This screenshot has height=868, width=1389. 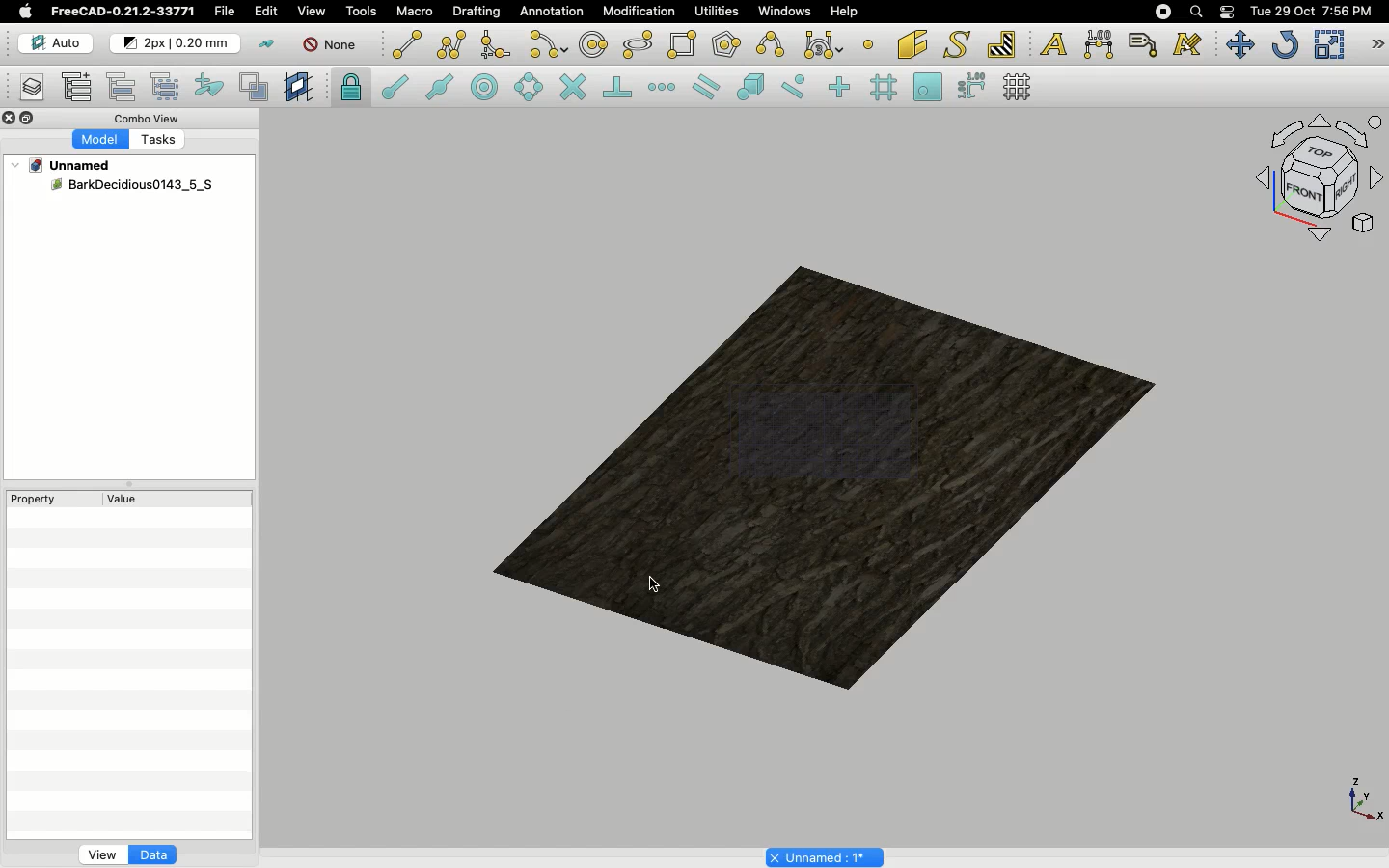 I want to click on Snap center, so click(x=490, y=86).